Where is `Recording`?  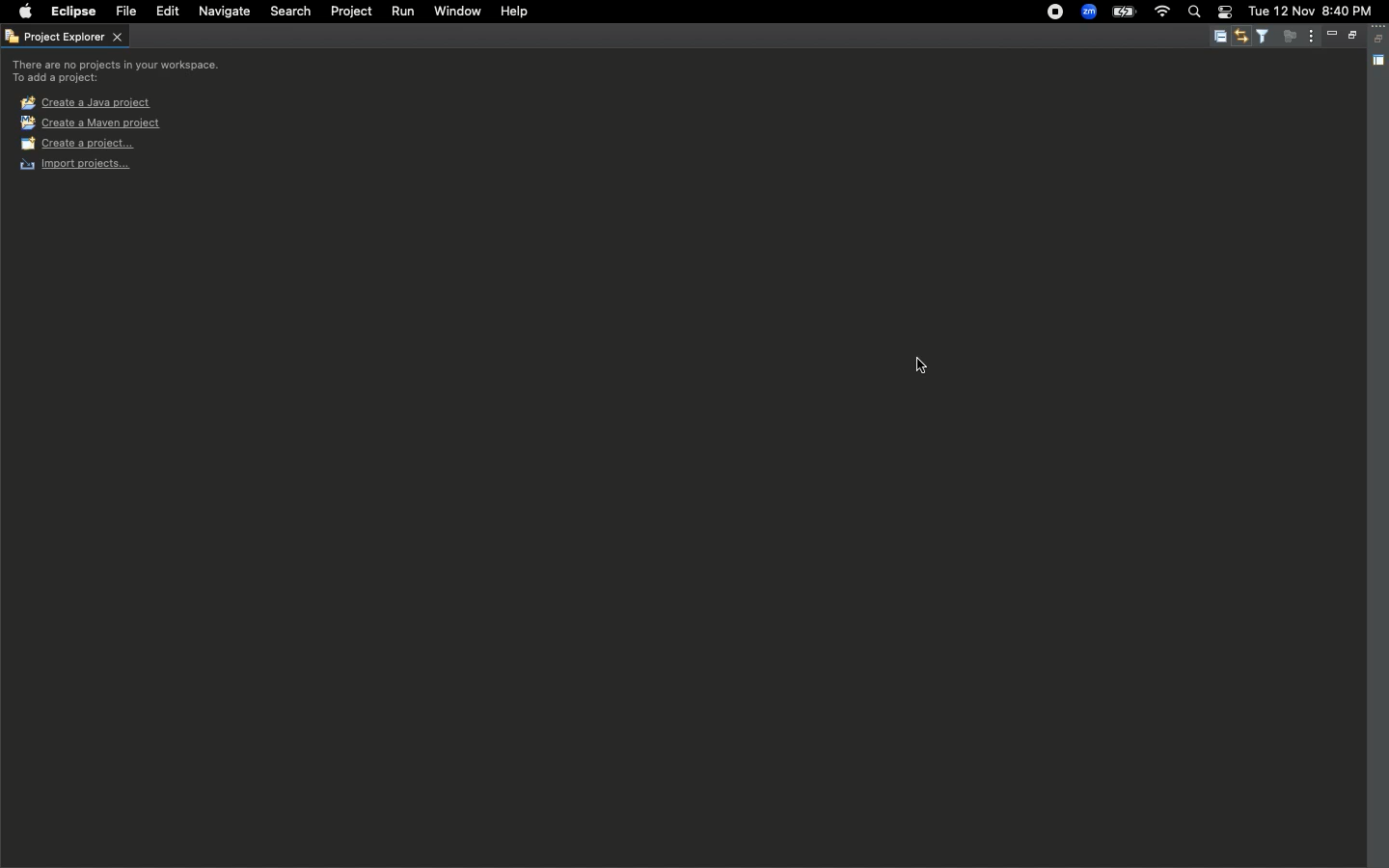 Recording is located at coordinates (1056, 13).